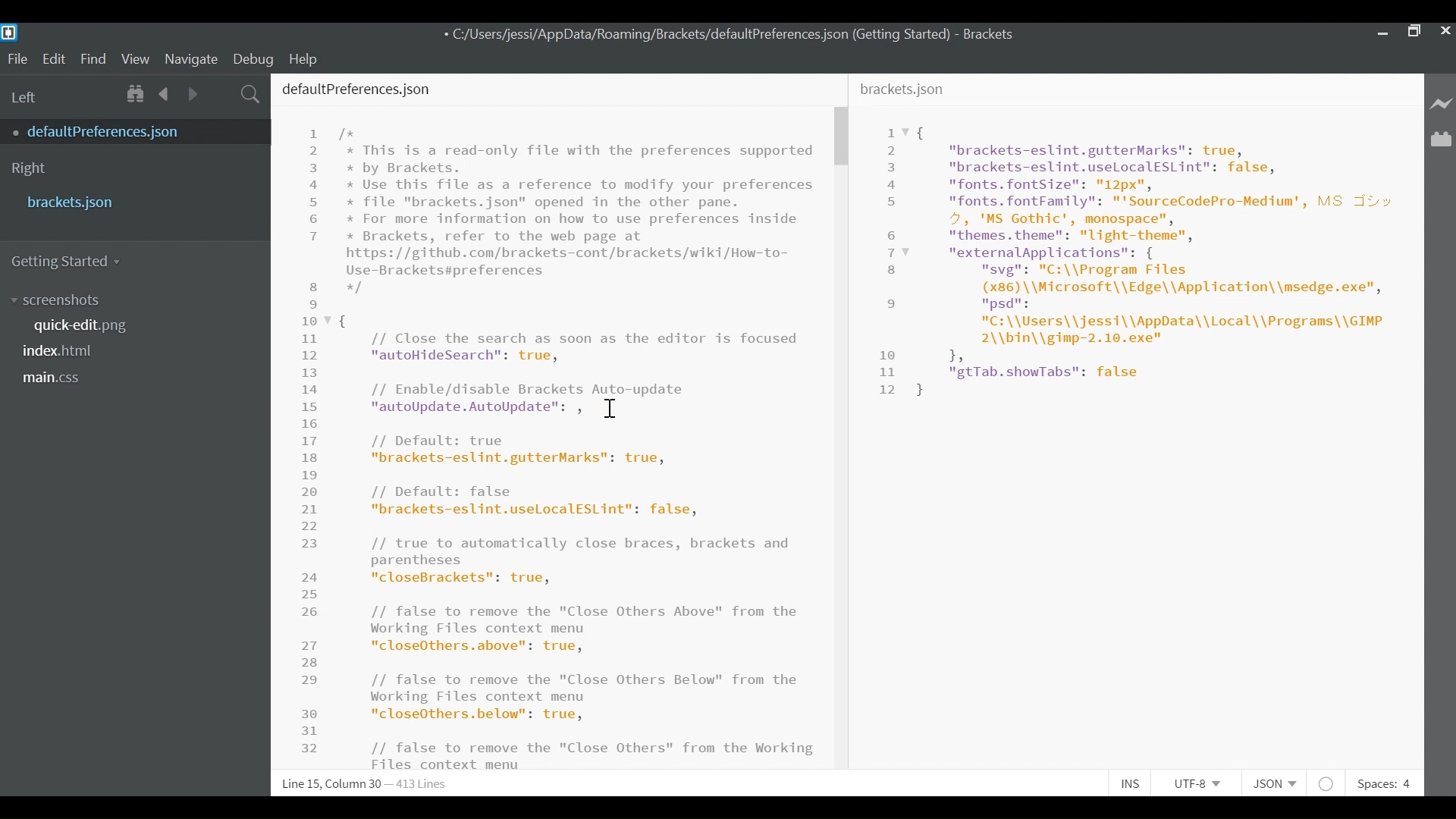 This screenshot has height=819, width=1456. What do you see at coordinates (1272, 783) in the screenshot?
I see `Select File Type` at bounding box center [1272, 783].